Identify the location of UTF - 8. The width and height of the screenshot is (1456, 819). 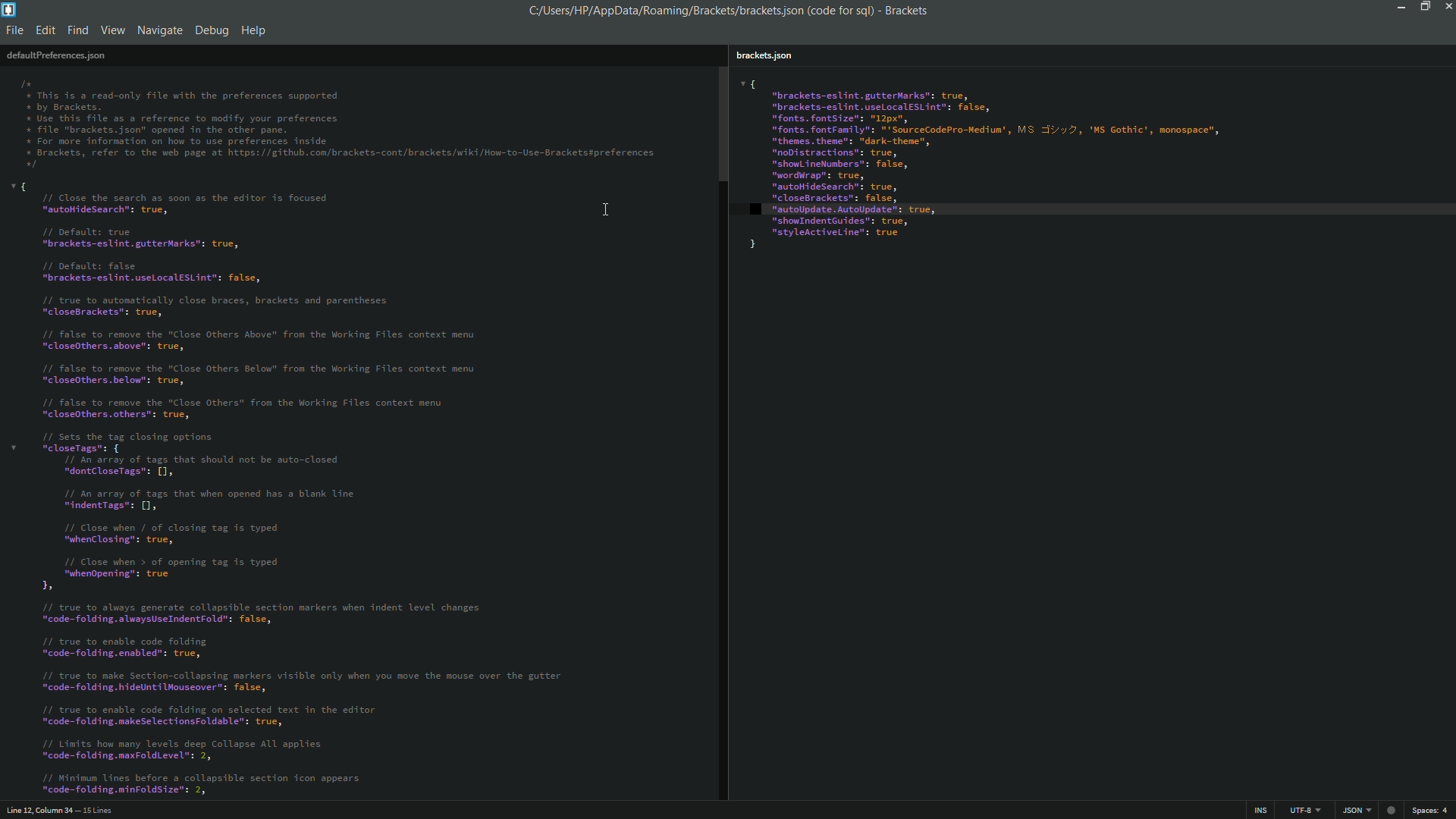
(1301, 809).